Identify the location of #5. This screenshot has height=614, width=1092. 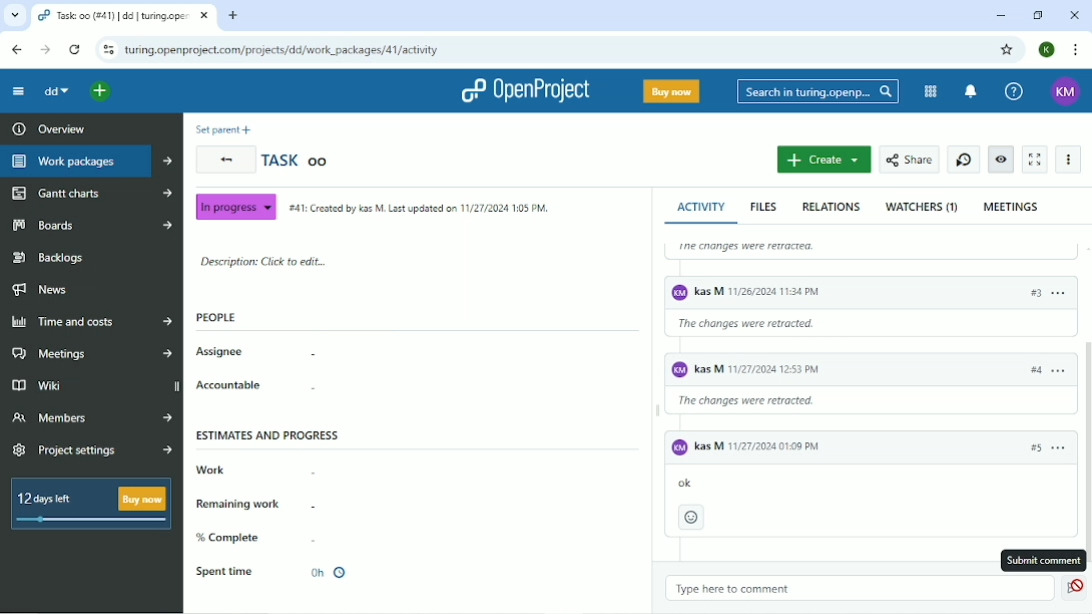
(1032, 449).